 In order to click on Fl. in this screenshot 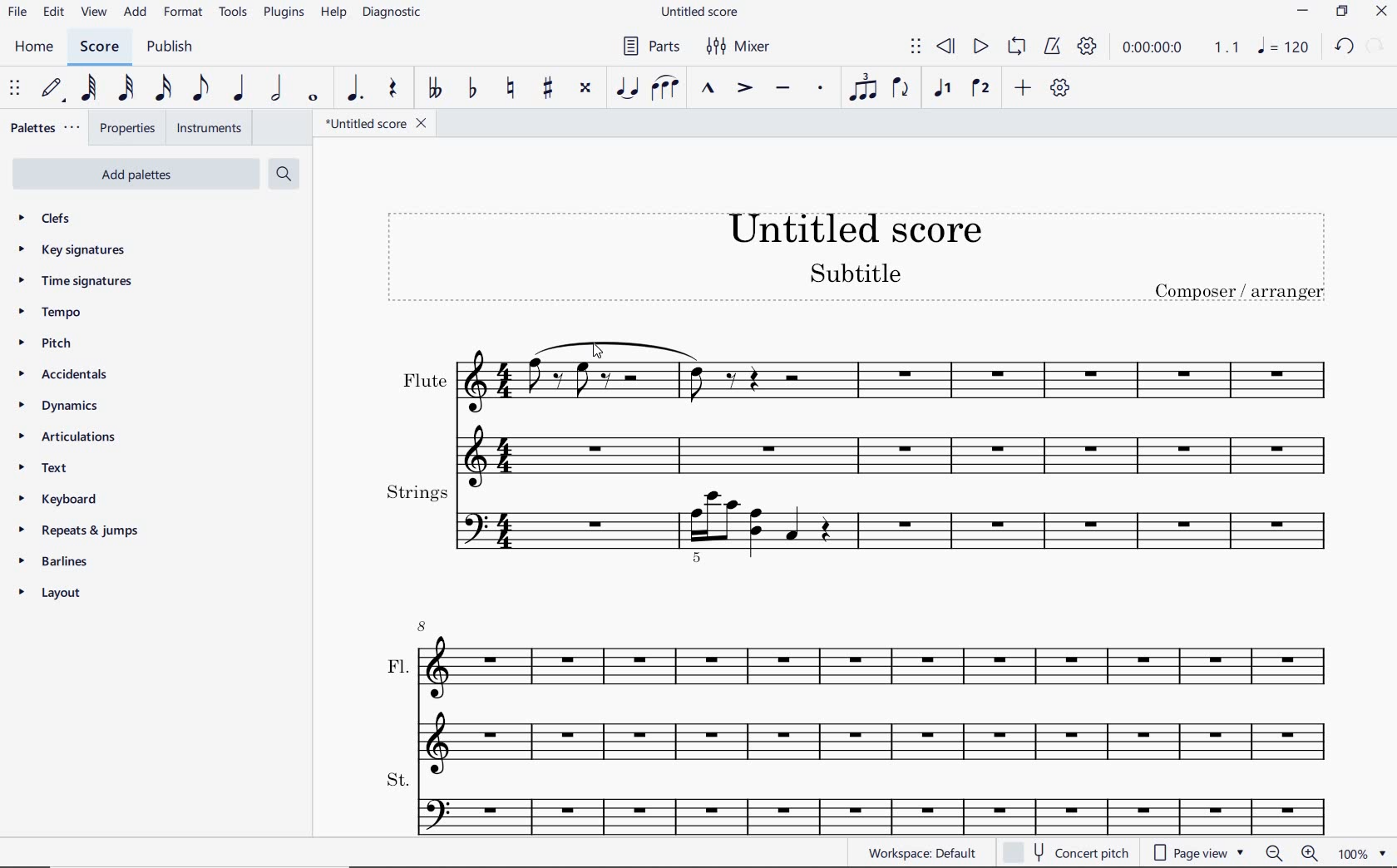, I will do `click(861, 691)`.